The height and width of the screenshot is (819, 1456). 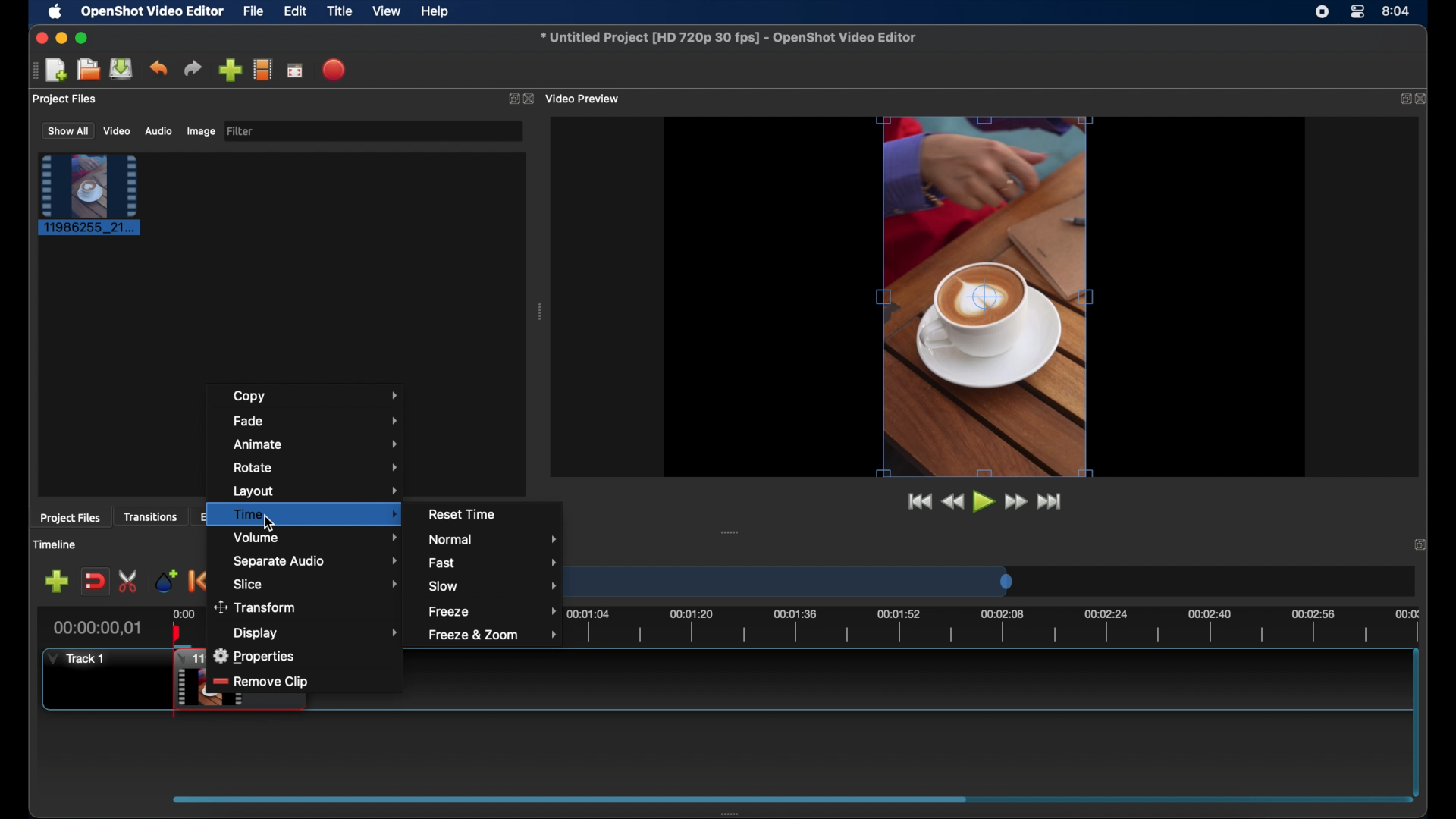 What do you see at coordinates (77, 658) in the screenshot?
I see `track1` at bounding box center [77, 658].